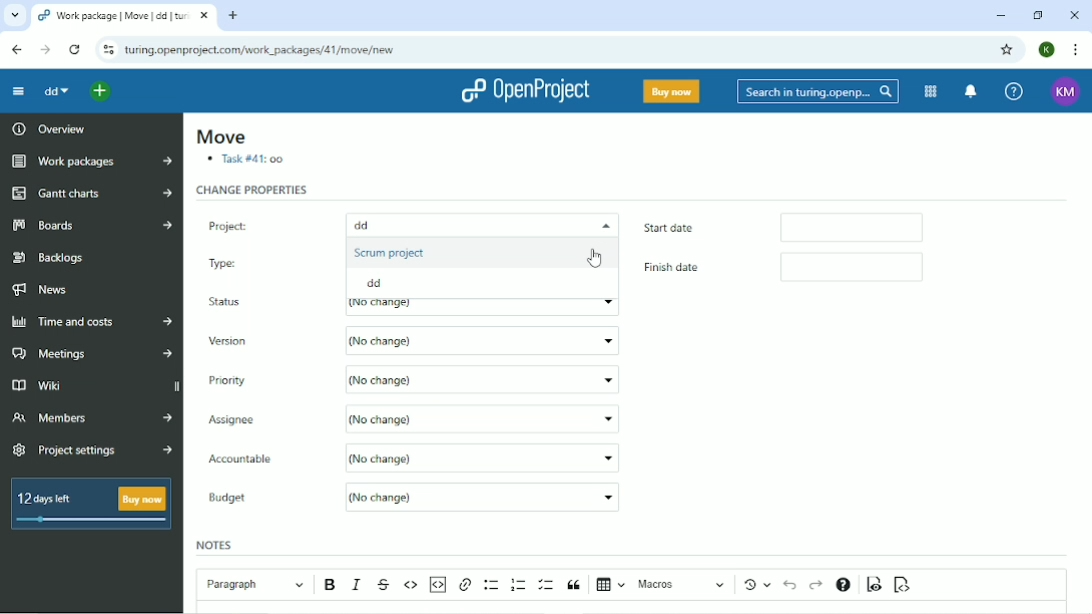 The image size is (1092, 614). Describe the element at coordinates (56, 91) in the screenshot. I see `dd` at that location.